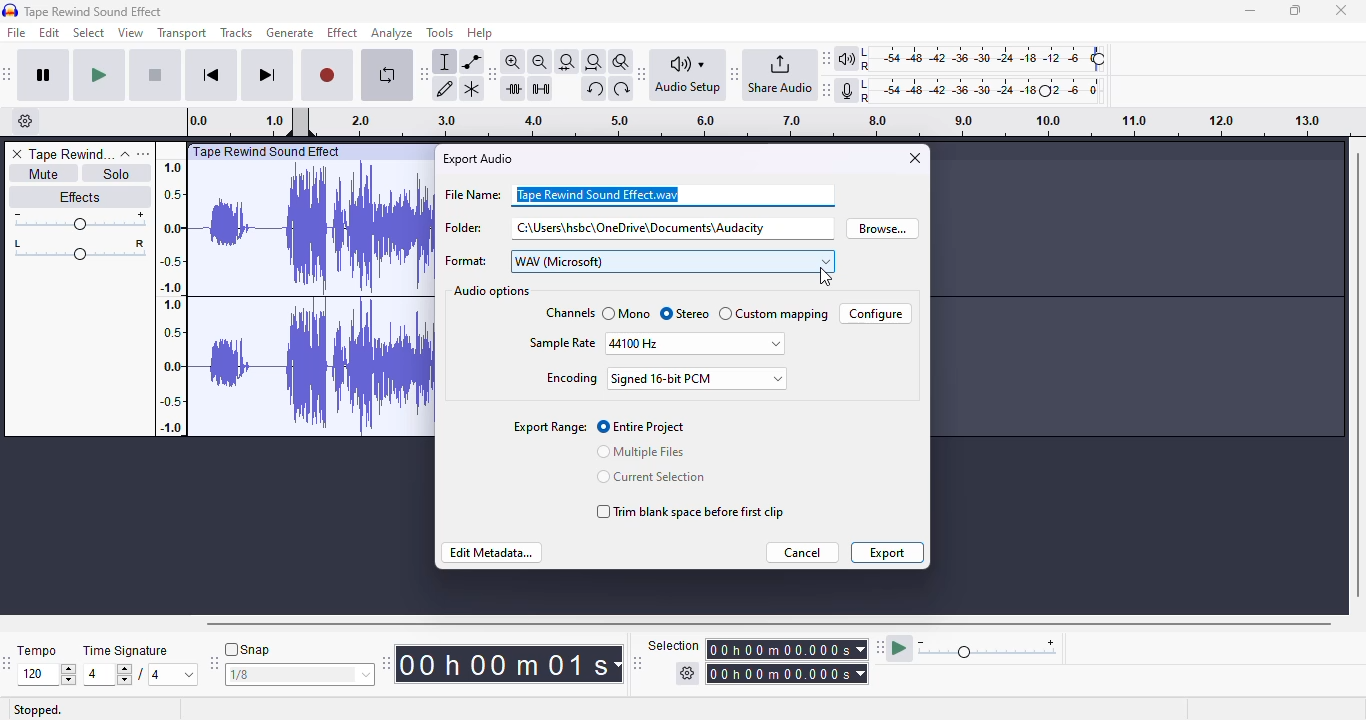 This screenshot has height=720, width=1366. Describe the element at coordinates (446, 88) in the screenshot. I see `draw tool` at that location.